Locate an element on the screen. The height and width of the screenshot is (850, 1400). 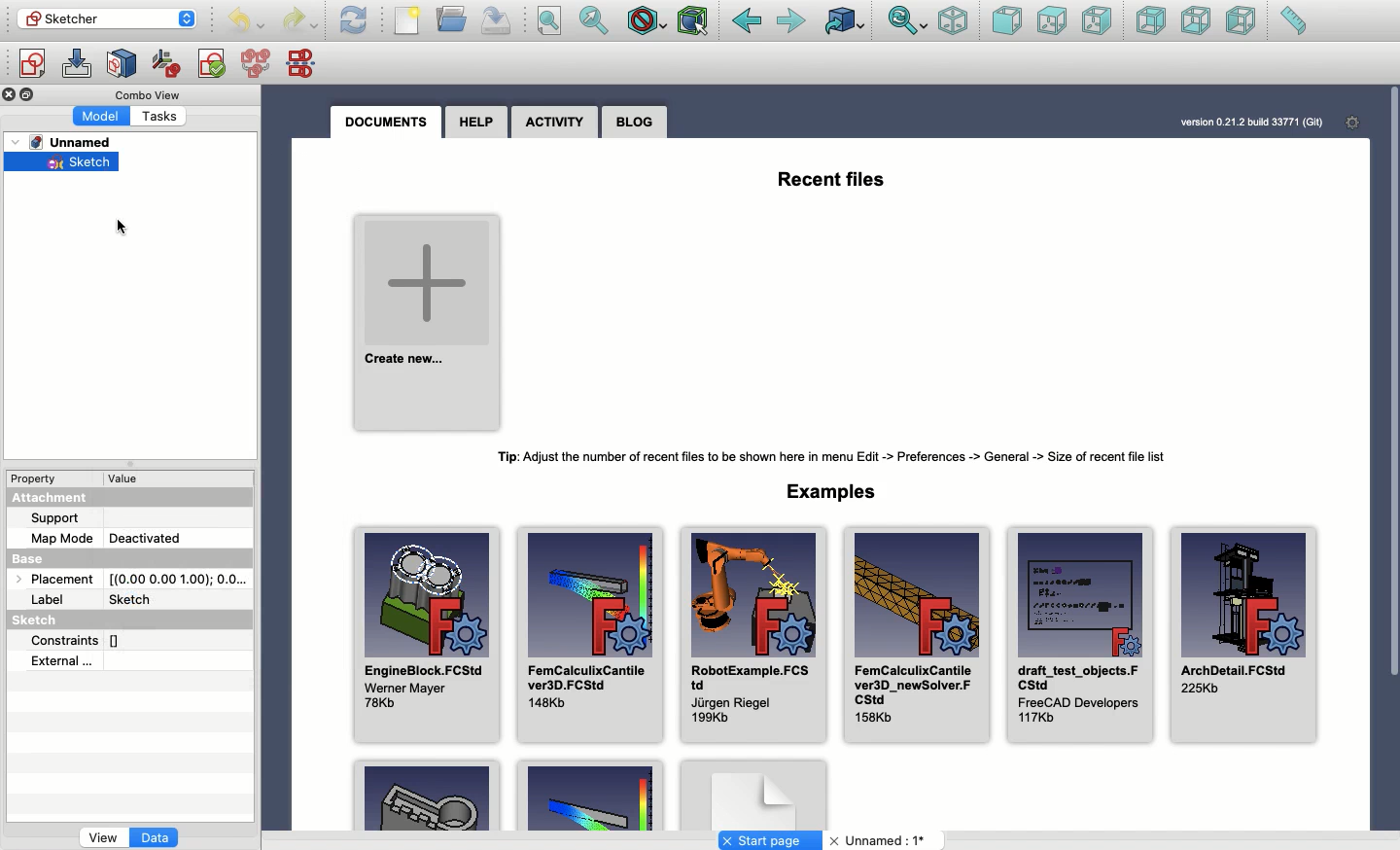
Edit sketch is located at coordinates (77, 64).